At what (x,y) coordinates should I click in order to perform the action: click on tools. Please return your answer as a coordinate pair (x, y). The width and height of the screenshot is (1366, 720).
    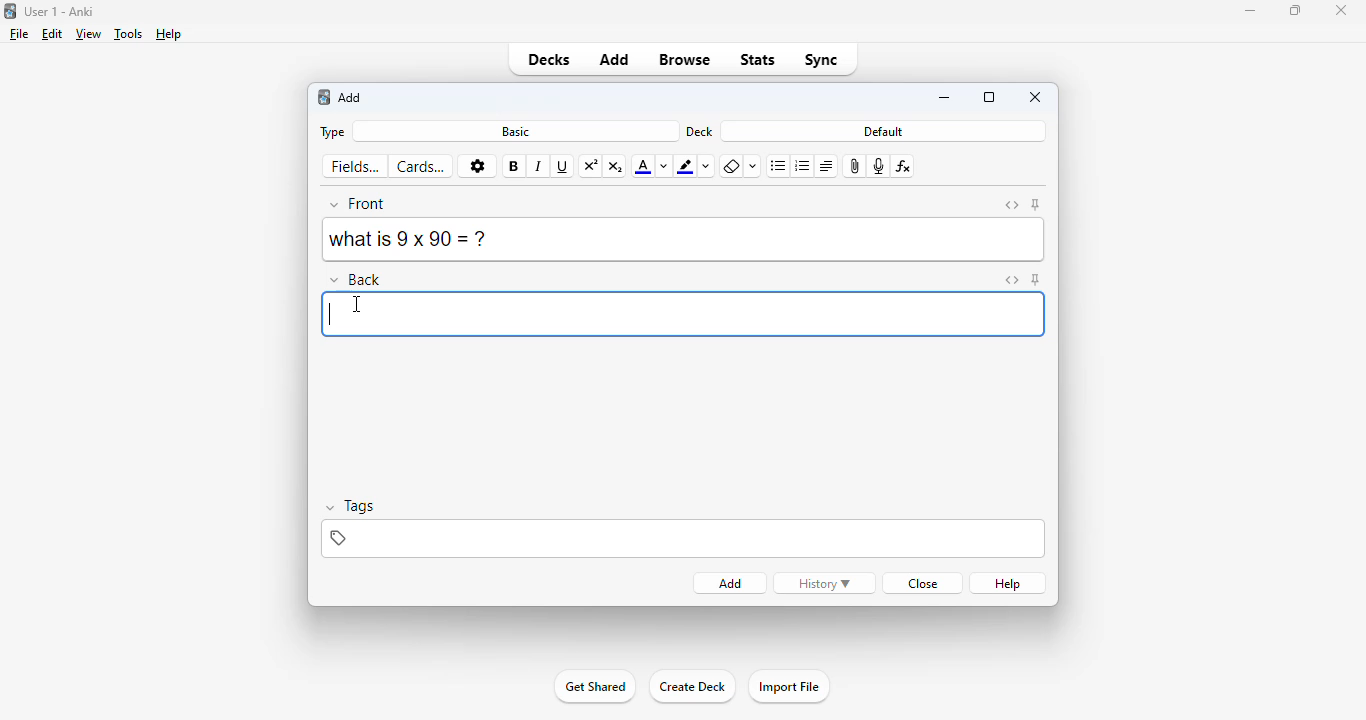
    Looking at the image, I should click on (129, 34).